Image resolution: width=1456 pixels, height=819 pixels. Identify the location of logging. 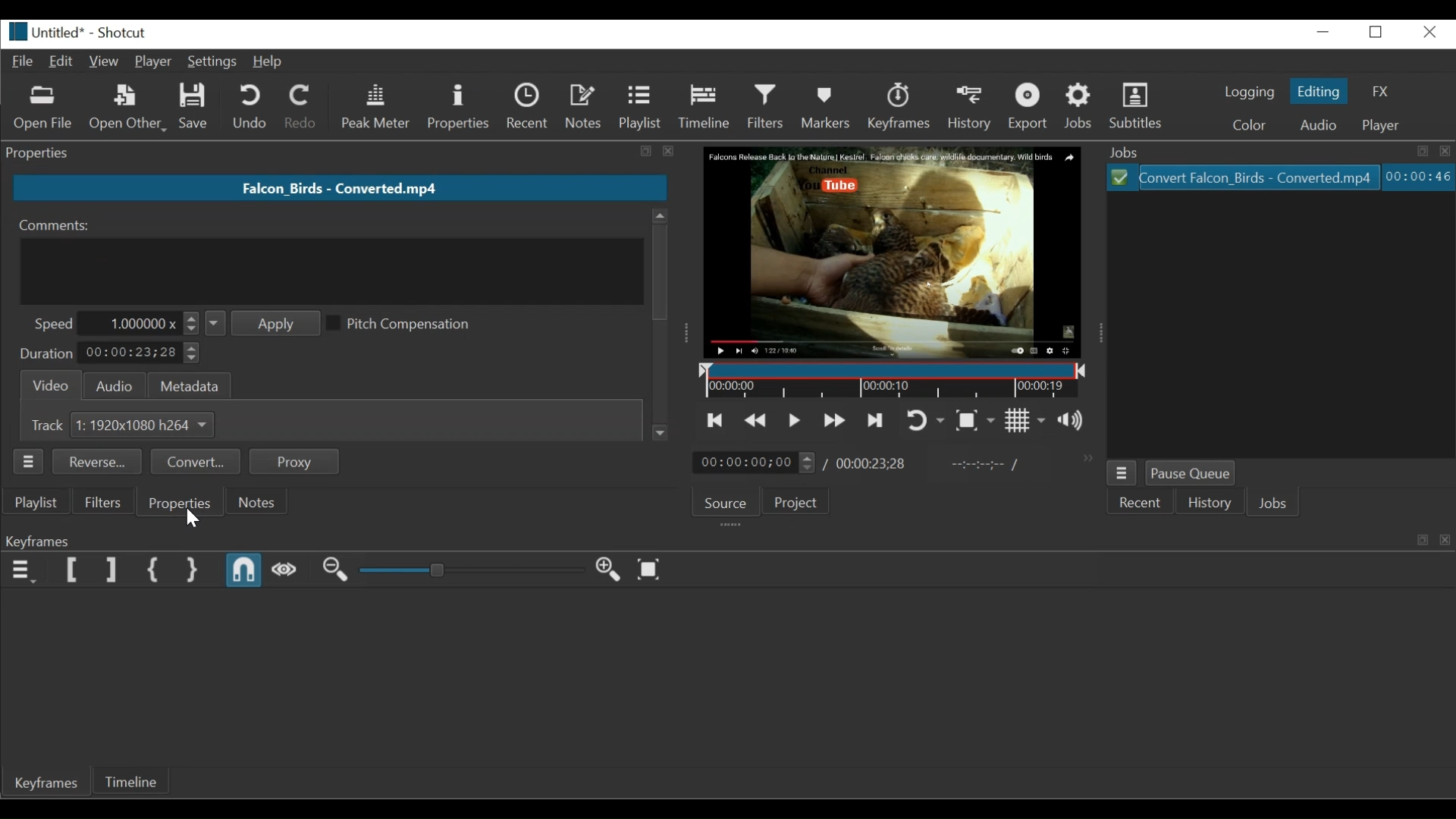
(1247, 93).